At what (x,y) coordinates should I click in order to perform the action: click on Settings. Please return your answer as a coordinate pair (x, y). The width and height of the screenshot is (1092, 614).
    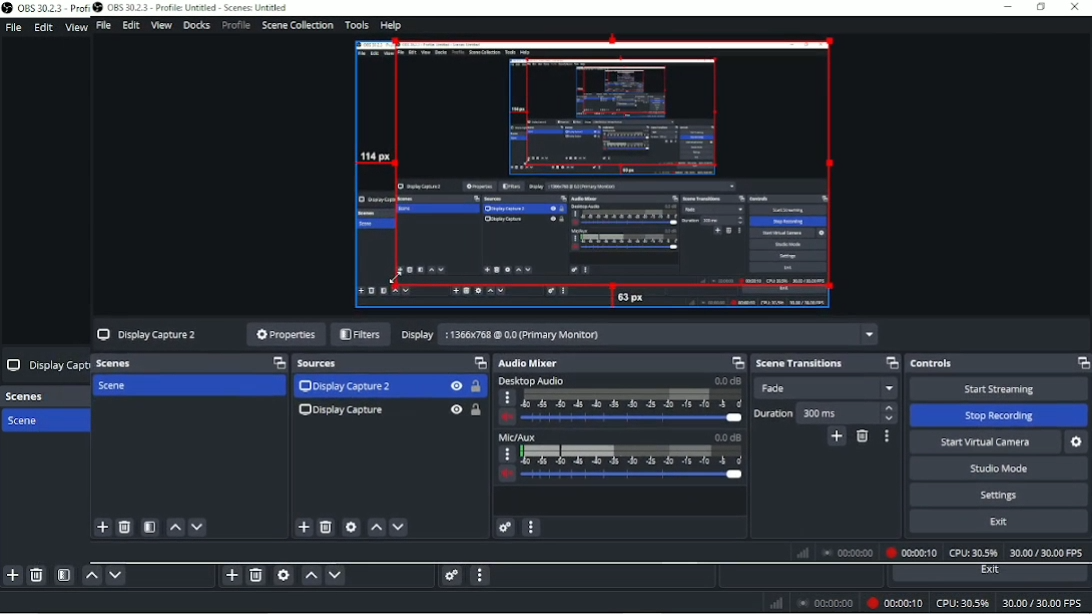
    Looking at the image, I should click on (1077, 440).